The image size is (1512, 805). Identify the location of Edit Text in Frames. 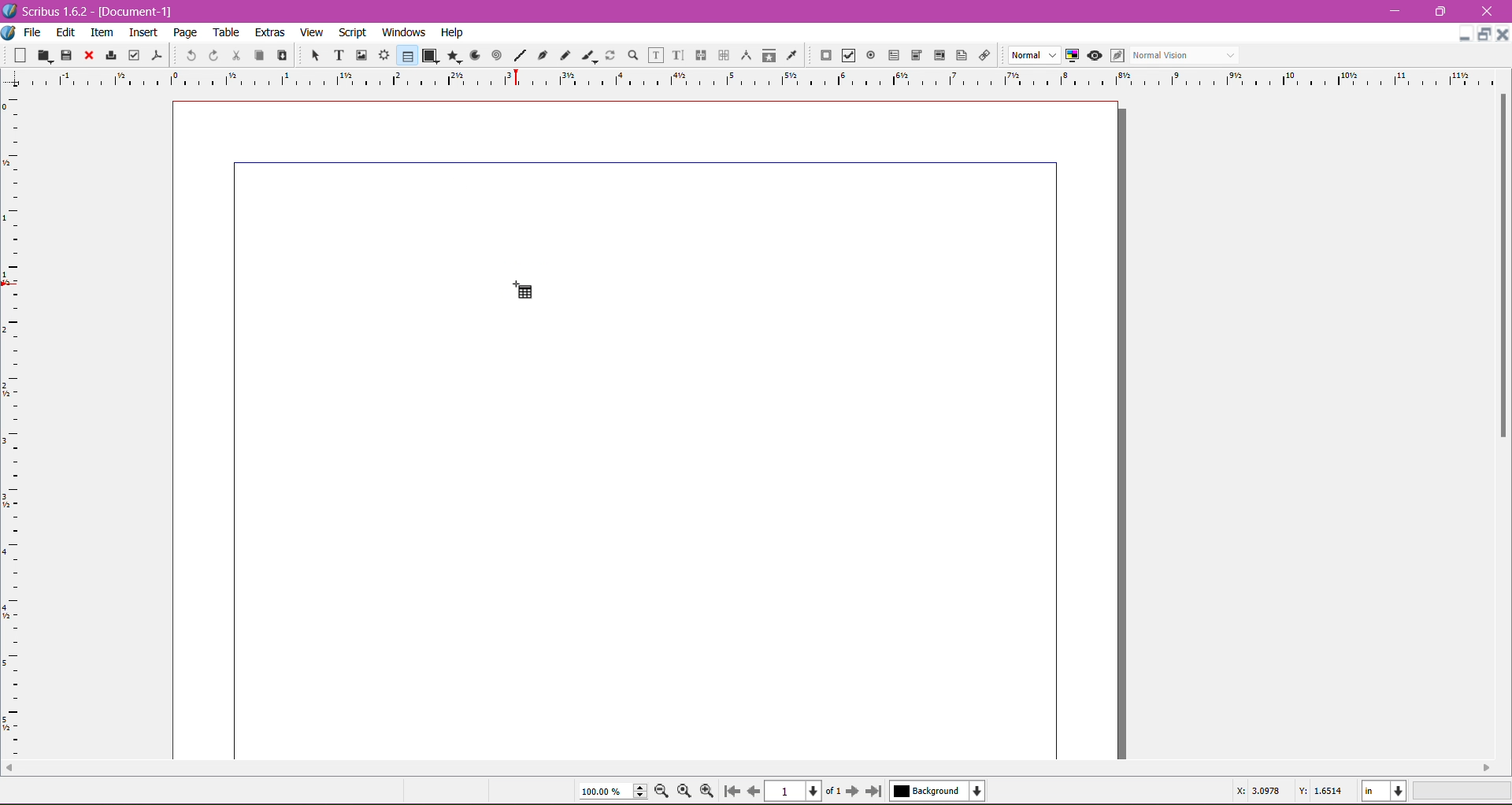
(656, 55).